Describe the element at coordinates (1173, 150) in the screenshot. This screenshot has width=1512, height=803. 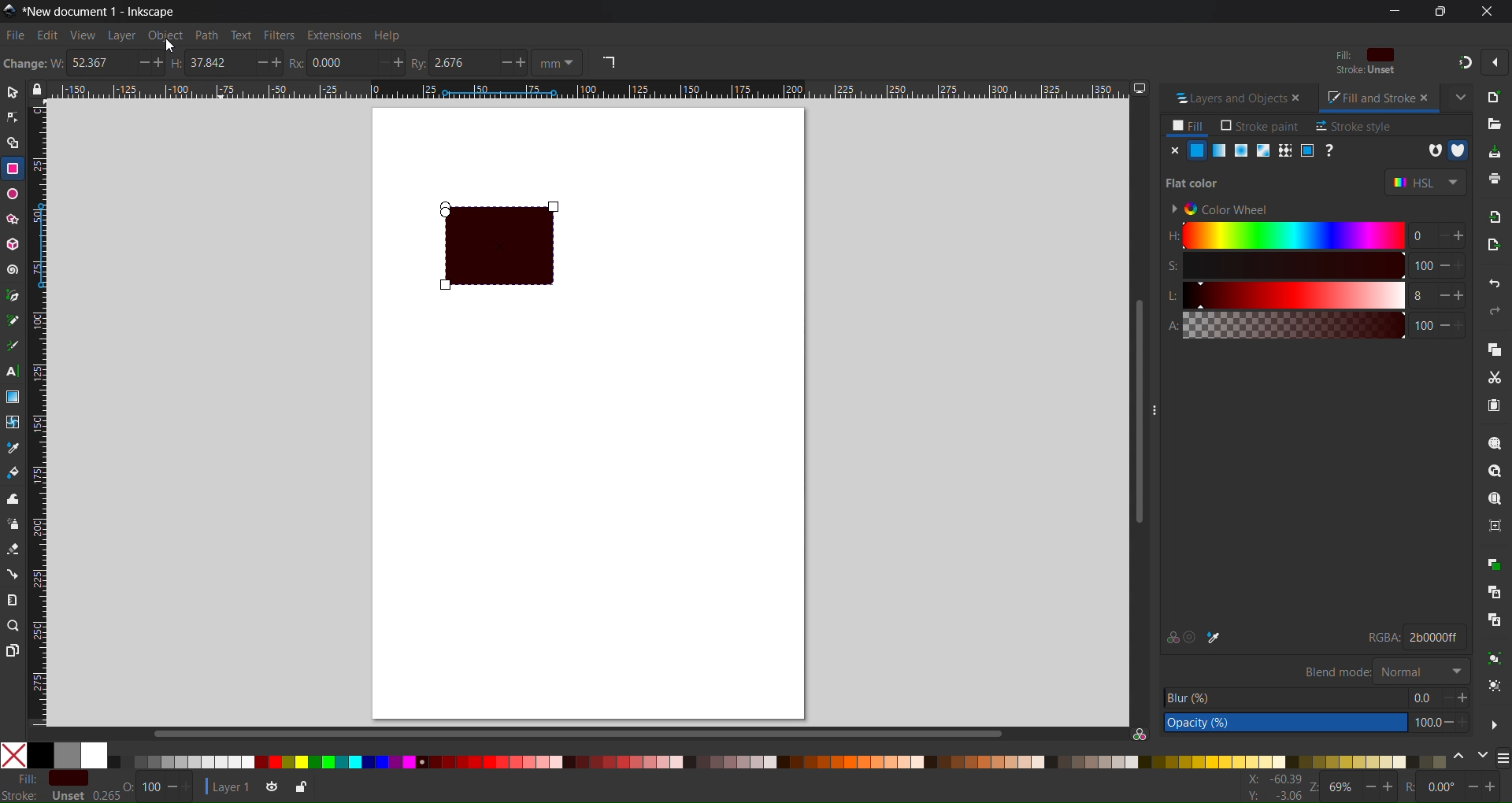
I see `Close` at that location.